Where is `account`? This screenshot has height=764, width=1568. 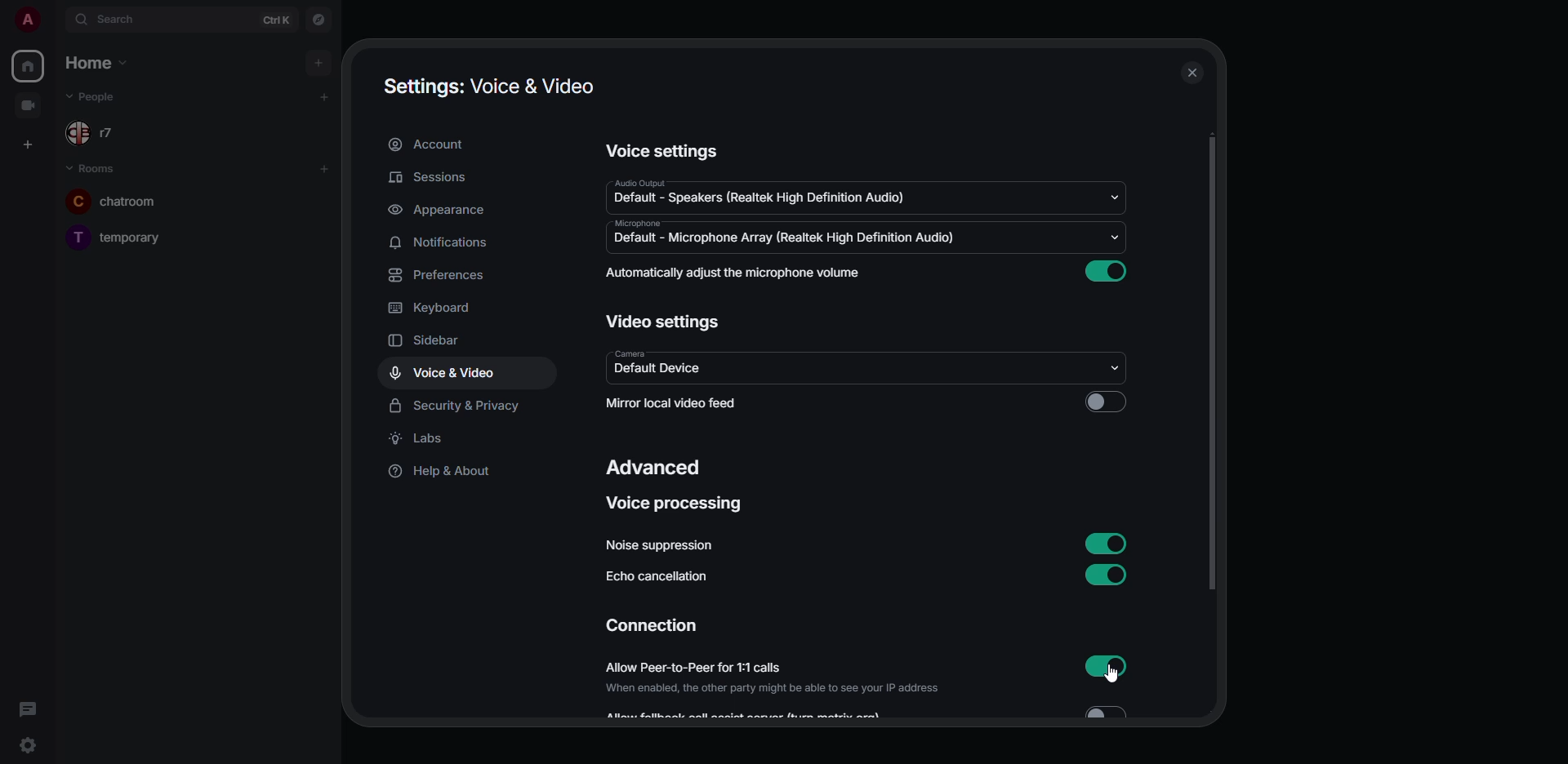 account is located at coordinates (430, 144).